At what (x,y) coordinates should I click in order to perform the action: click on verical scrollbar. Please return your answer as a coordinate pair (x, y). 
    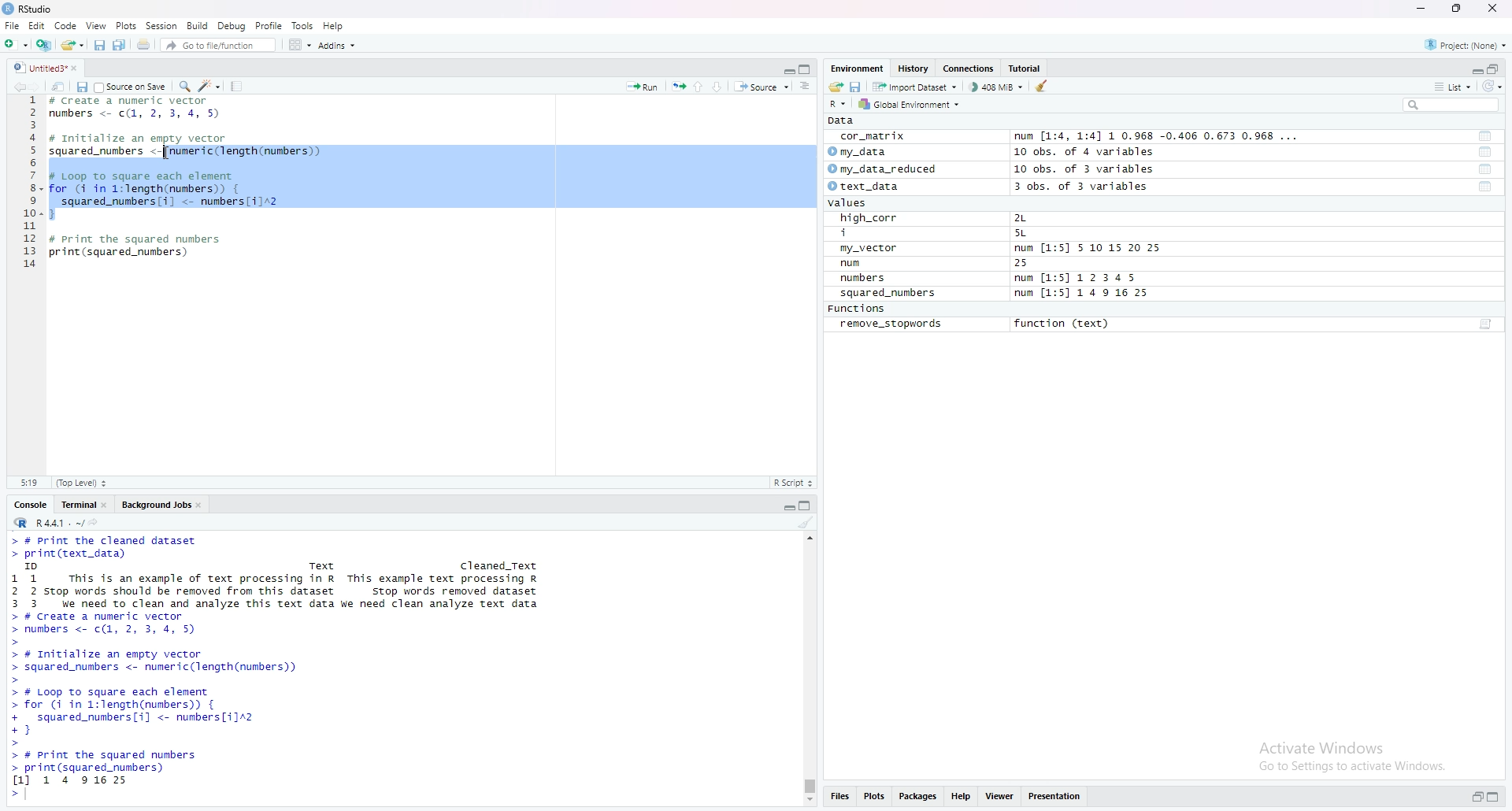
    Looking at the image, I should click on (808, 786).